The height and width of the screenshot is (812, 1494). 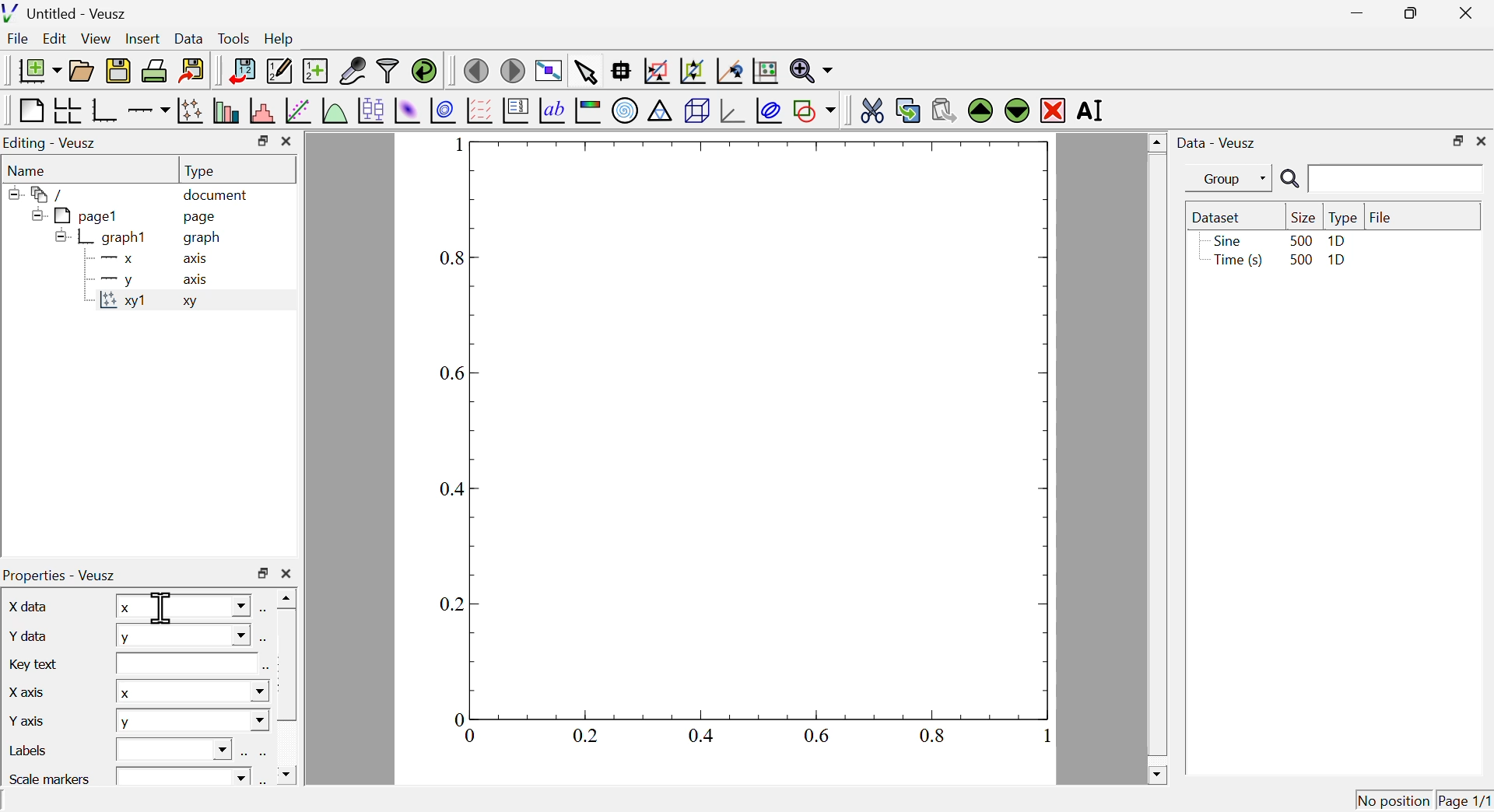 I want to click on add a shape to the plot, so click(x=815, y=110).